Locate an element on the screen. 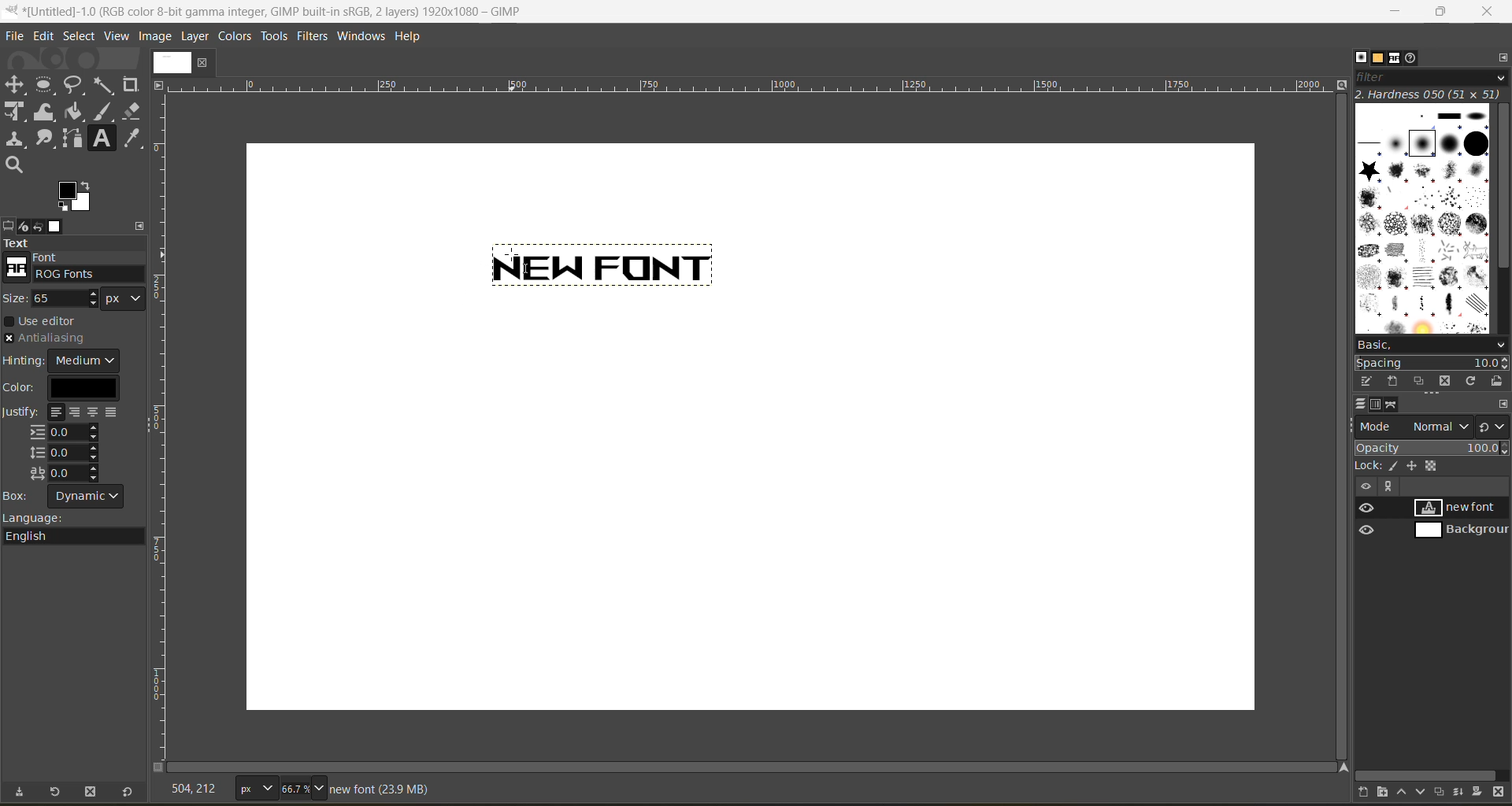 The width and height of the screenshot is (1512, 806). metadata is located at coordinates (379, 789).